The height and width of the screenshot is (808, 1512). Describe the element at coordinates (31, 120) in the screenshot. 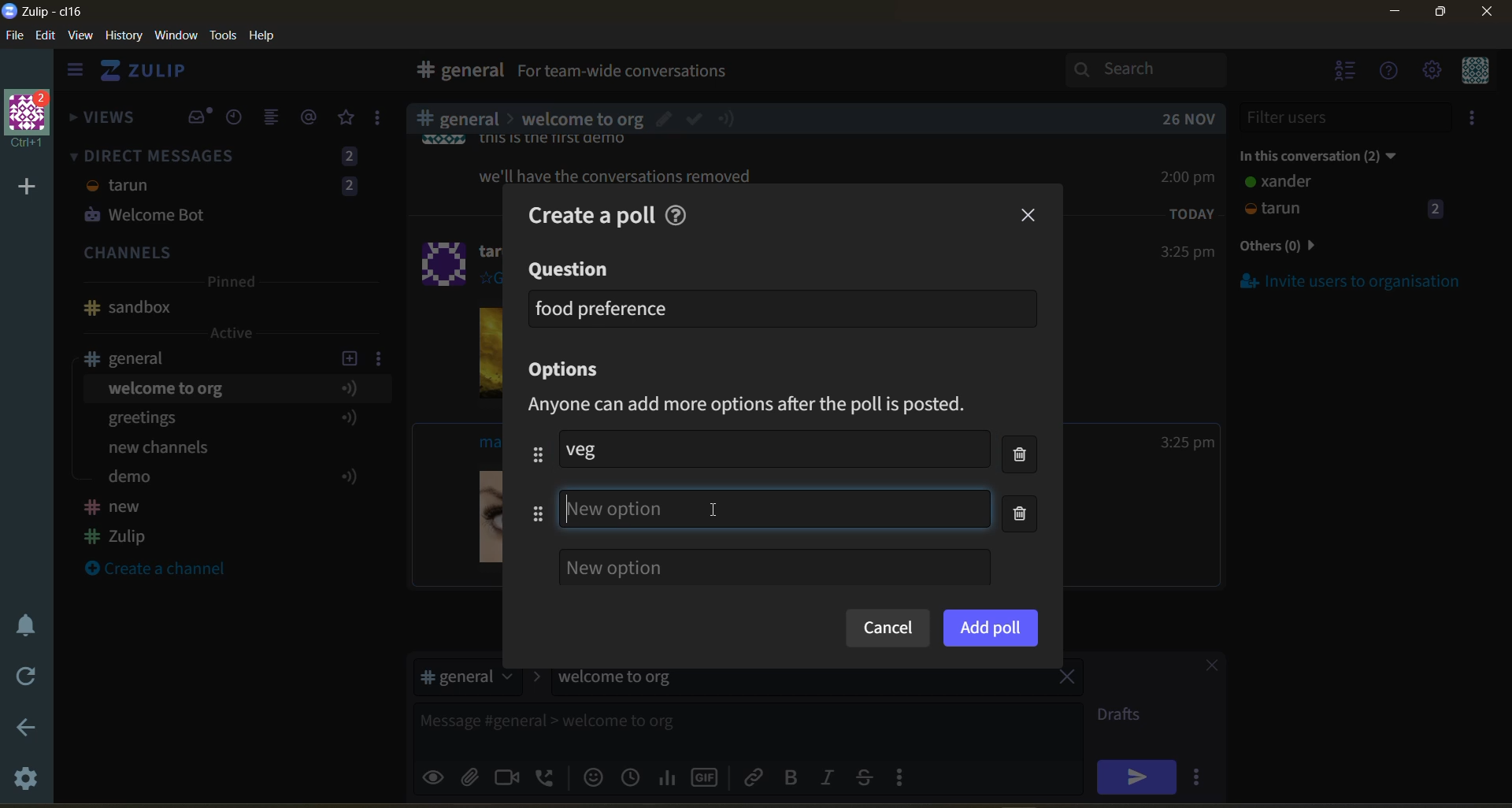

I see `organisation` at that location.